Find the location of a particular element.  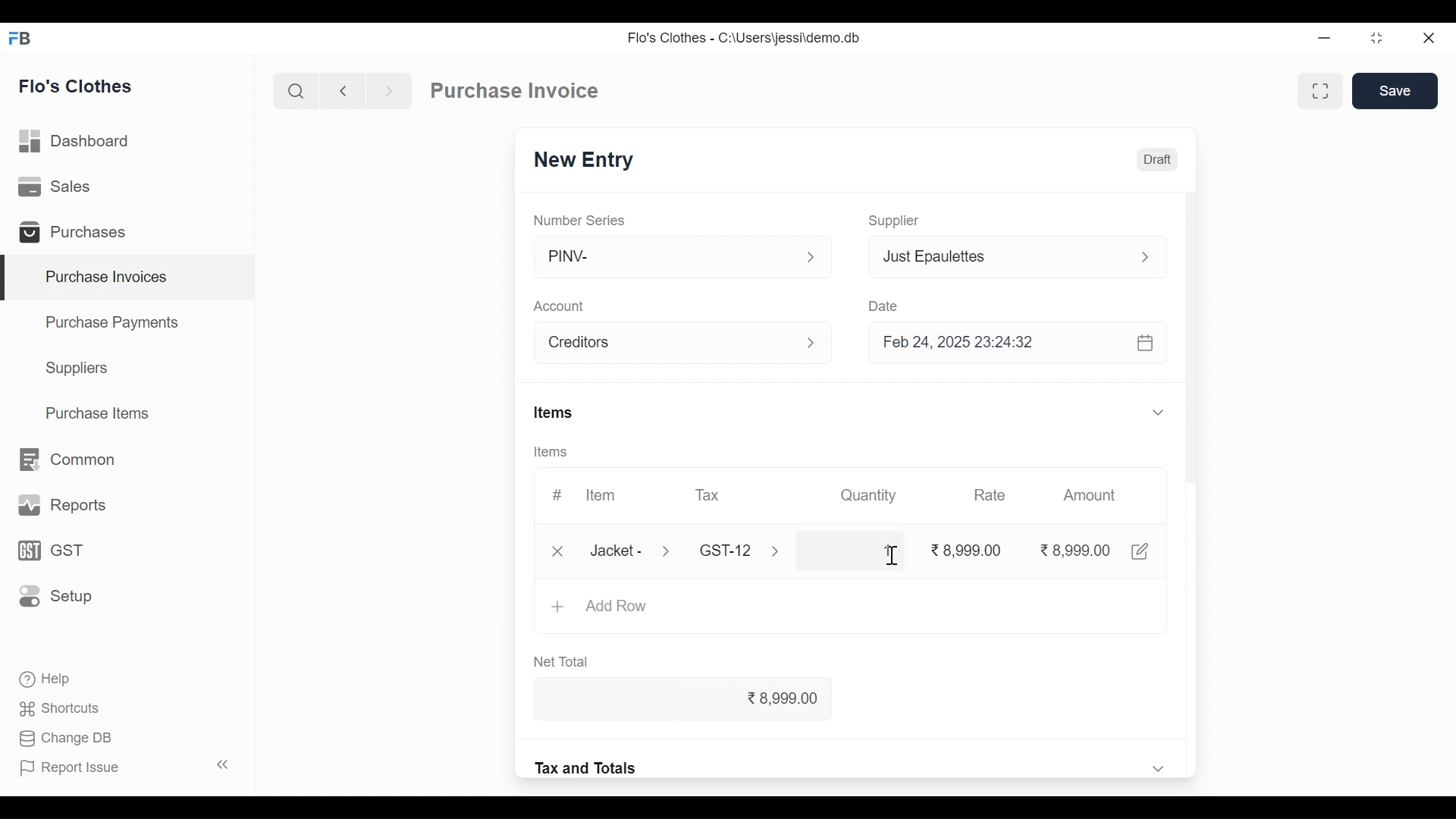

Purchase Invoice is located at coordinates (514, 90).